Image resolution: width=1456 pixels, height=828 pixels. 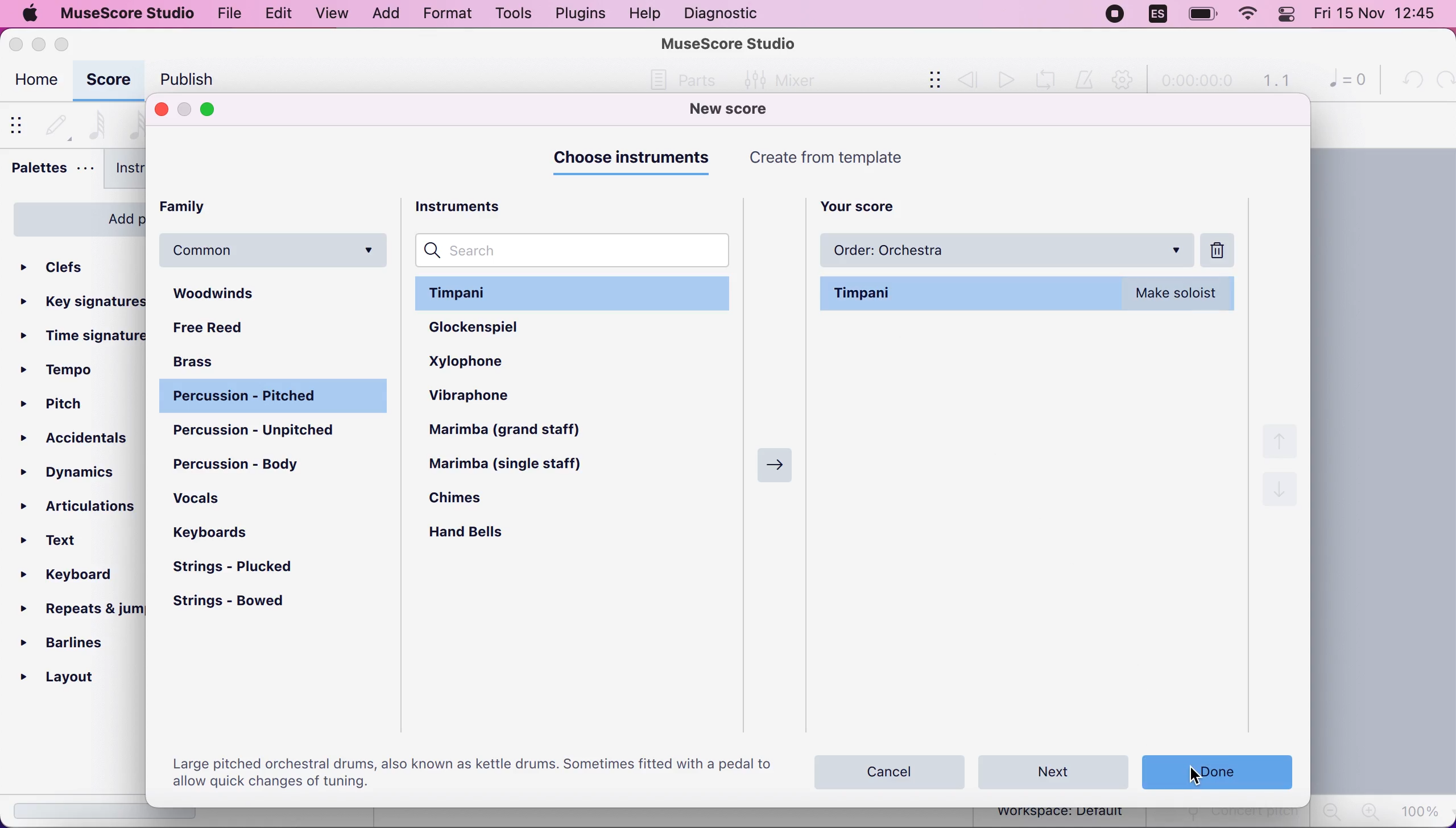 What do you see at coordinates (1064, 814) in the screenshot?
I see `workspace: default` at bounding box center [1064, 814].